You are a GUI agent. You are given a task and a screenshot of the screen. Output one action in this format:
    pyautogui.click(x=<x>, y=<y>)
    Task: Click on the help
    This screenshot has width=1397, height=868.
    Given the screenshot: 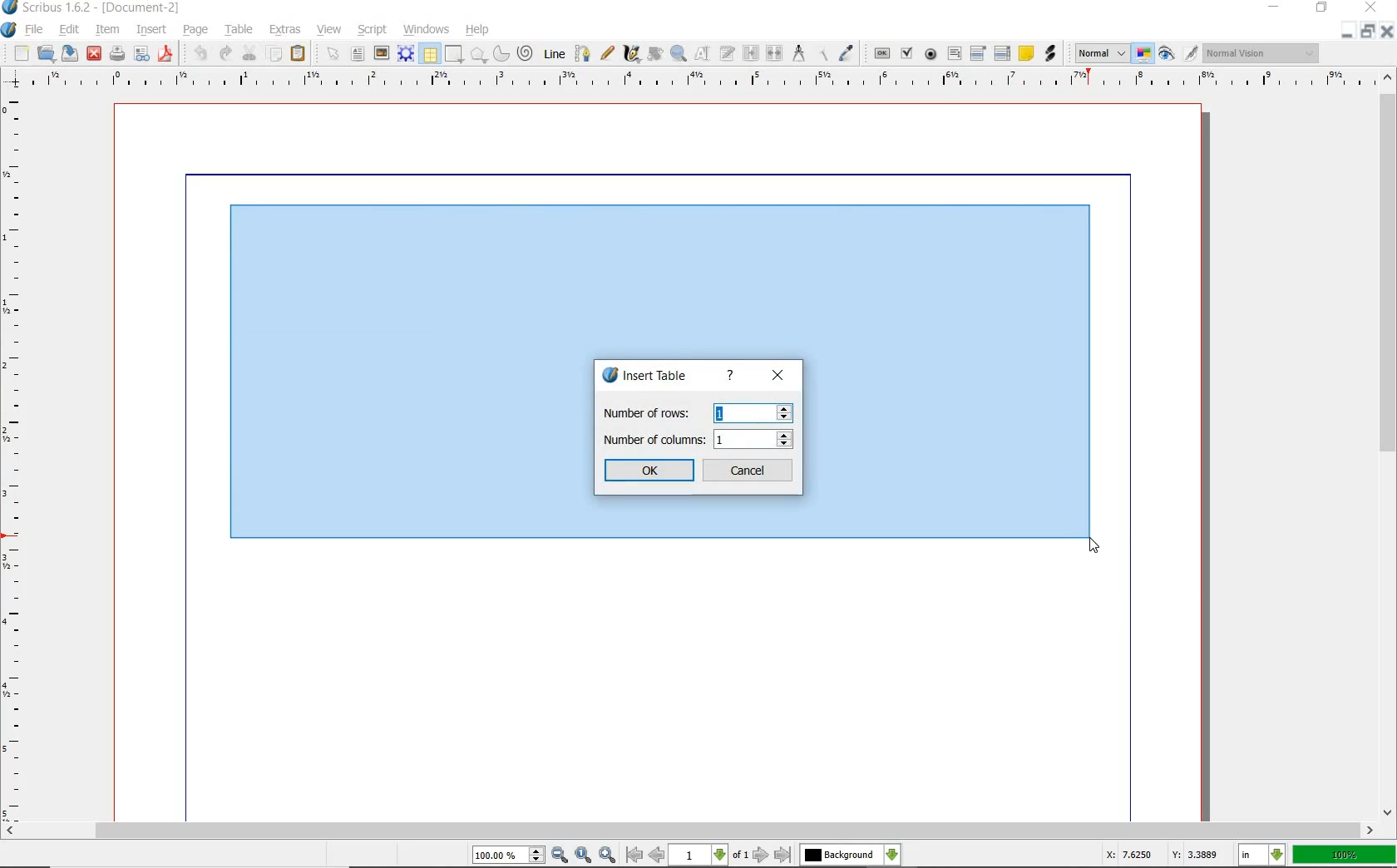 What is the action you would take?
    pyautogui.click(x=480, y=32)
    